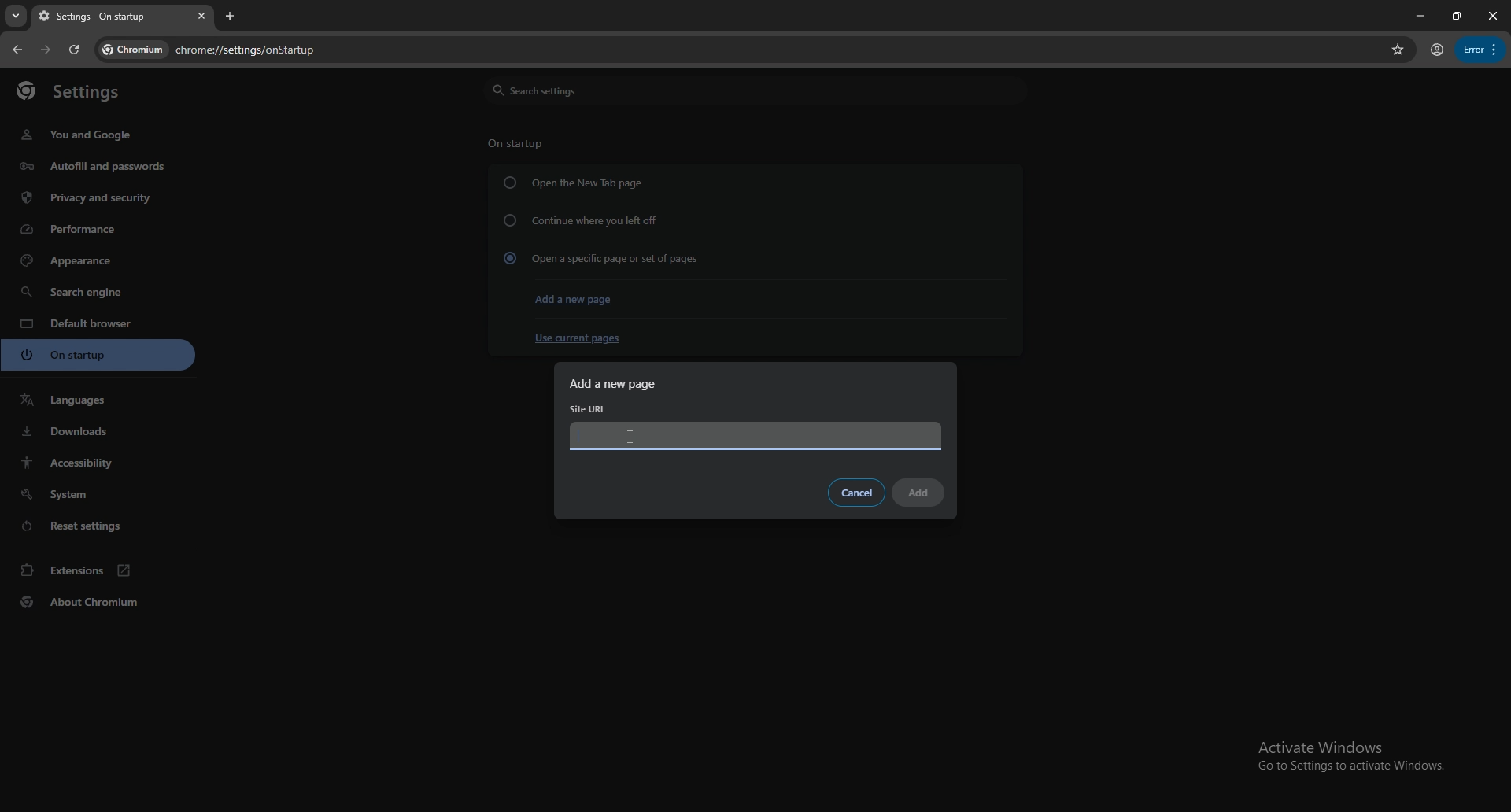 Image resolution: width=1511 pixels, height=812 pixels. I want to click on appearance, so click(100, 260).